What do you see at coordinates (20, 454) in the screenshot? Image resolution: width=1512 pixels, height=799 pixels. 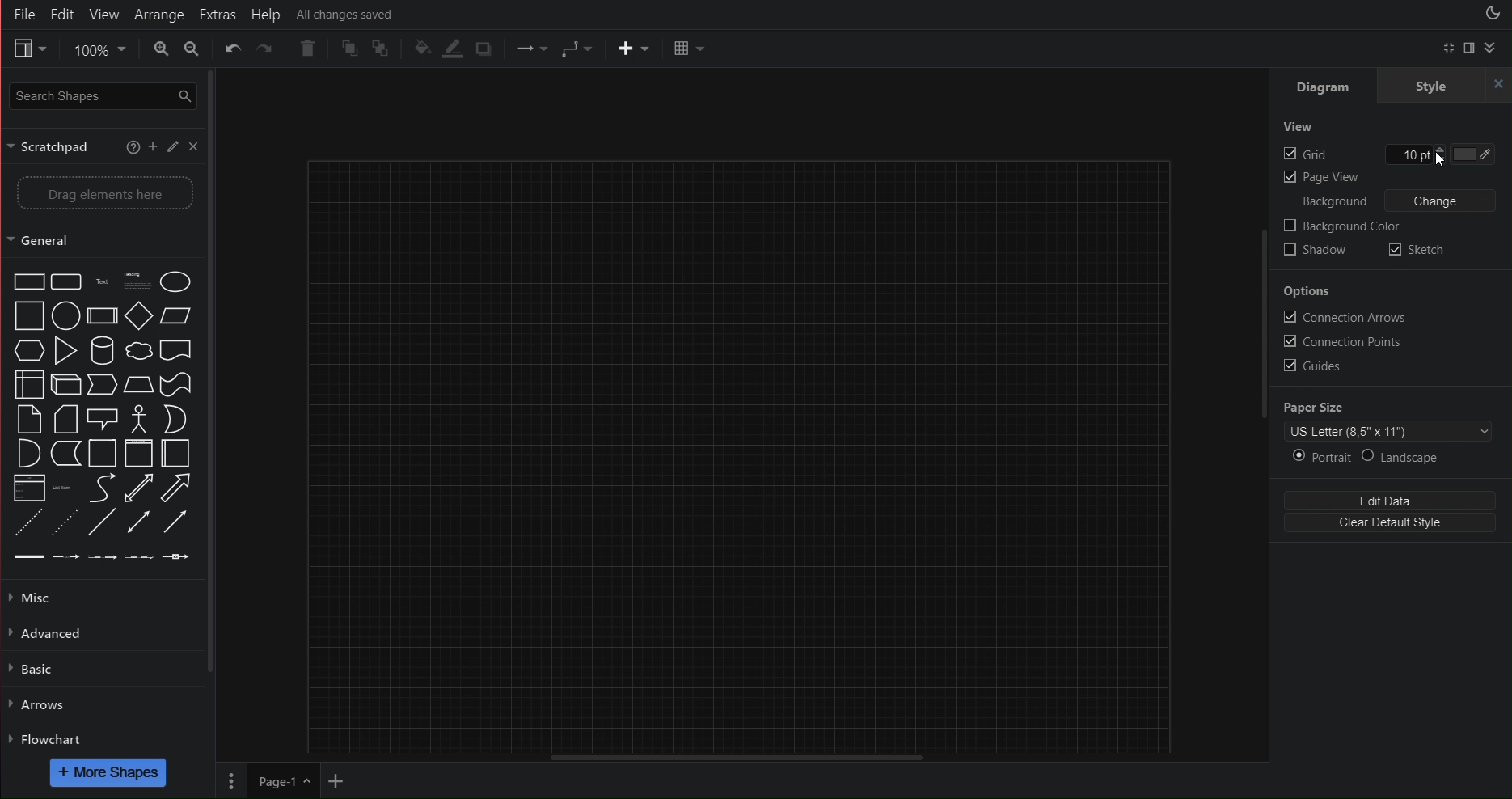 I see `Semicircle` at bounding box center [20, 454].